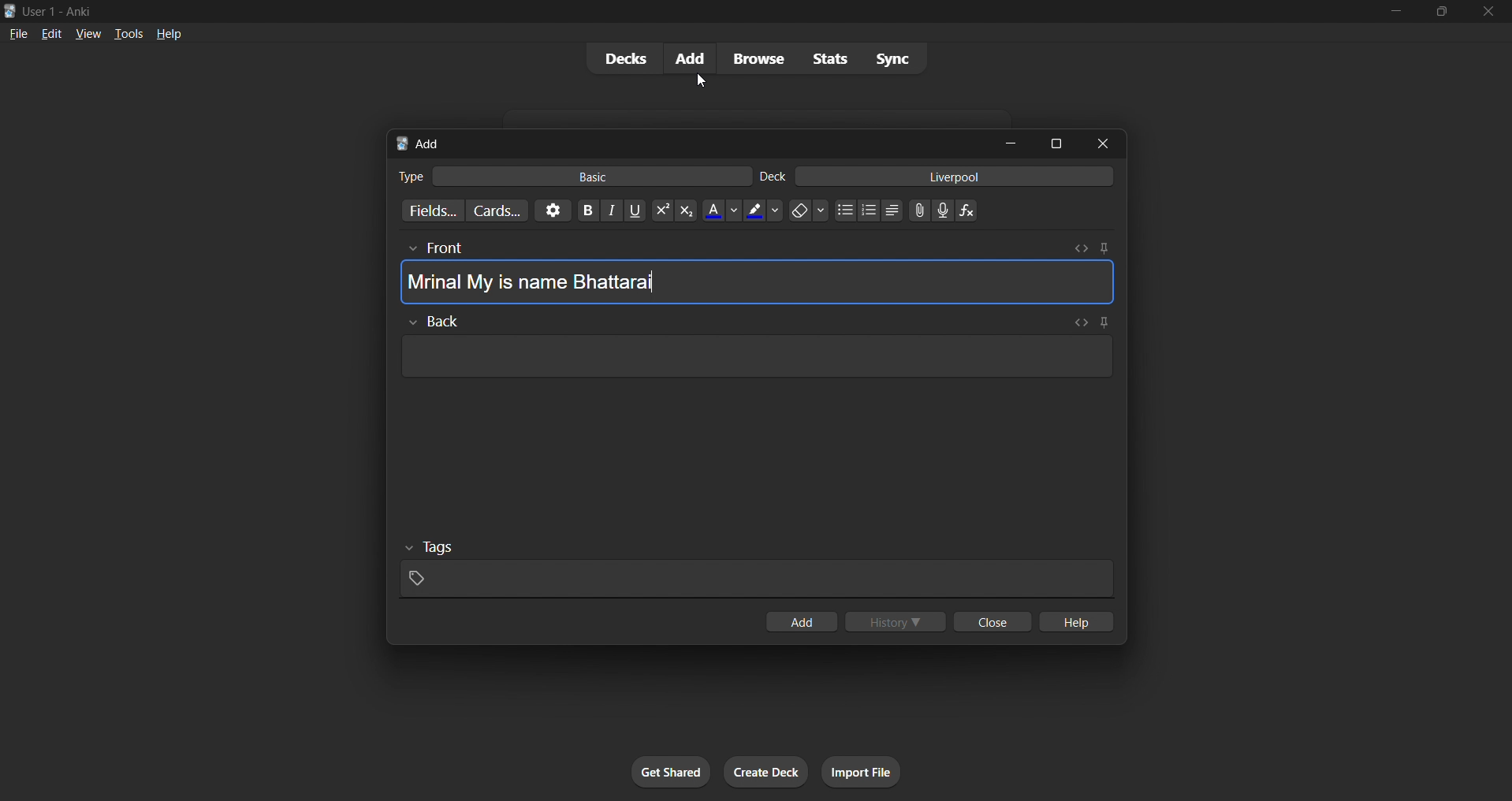  Describe the element at coordinates (892, 618) in the screenshot. I see `history` at that location.